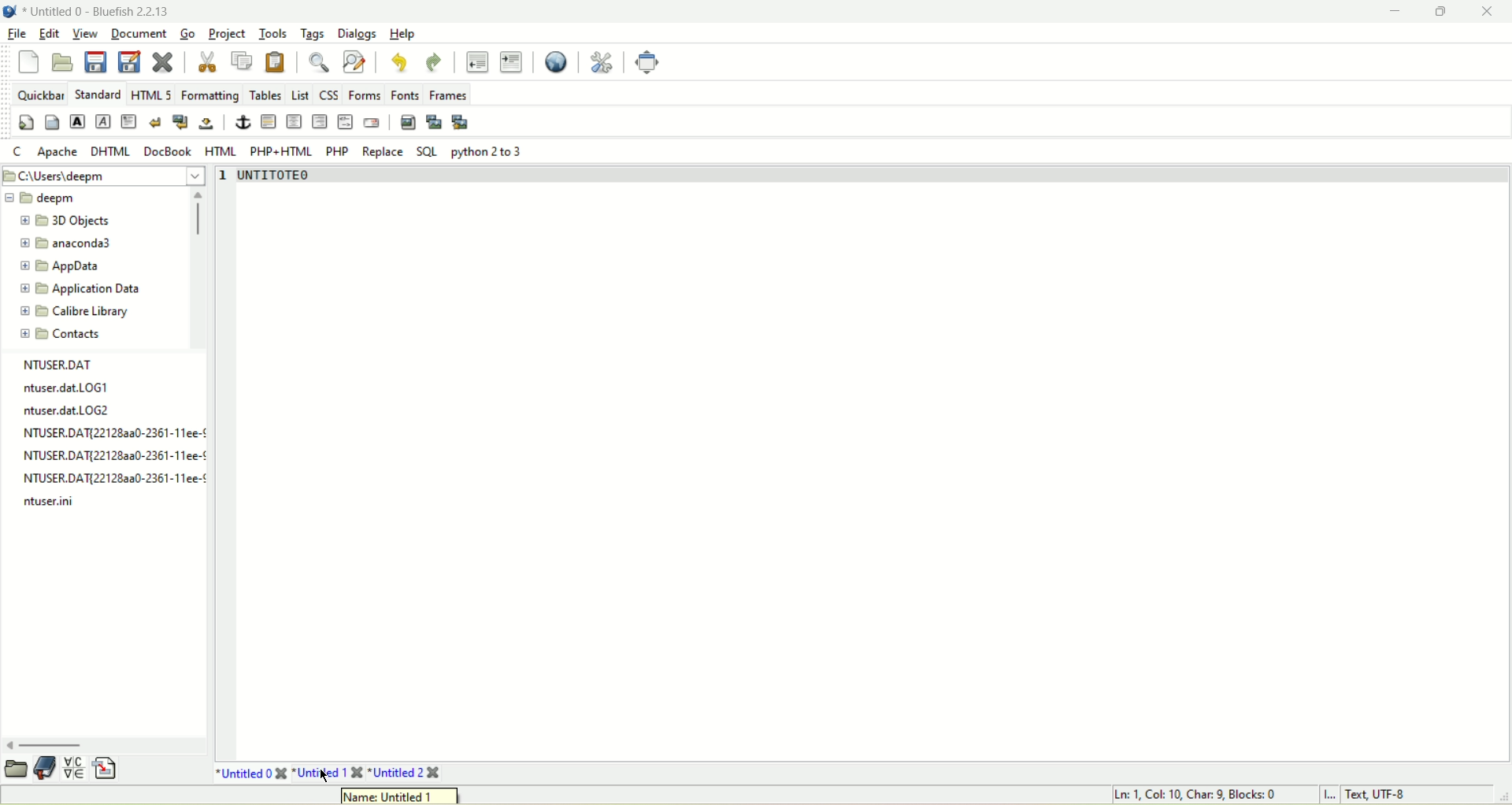 The width and height of the screenshot is (1512, 805). Describe the element at coordinates (44, 770) in the screenshot. I see `documentation ` at that location.